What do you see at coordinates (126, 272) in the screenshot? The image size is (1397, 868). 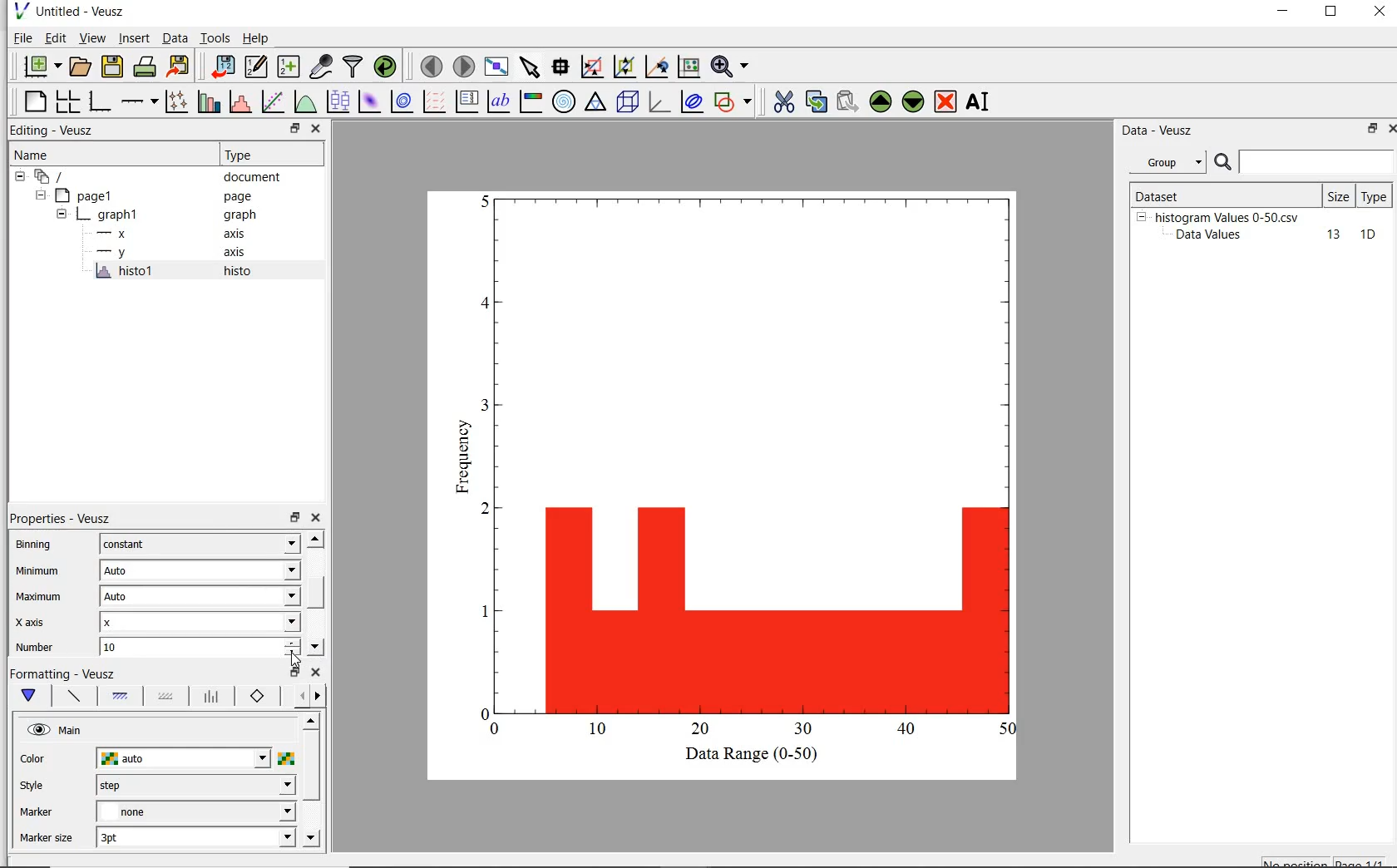 I see `histo 1` at bounding box center [126, 272].